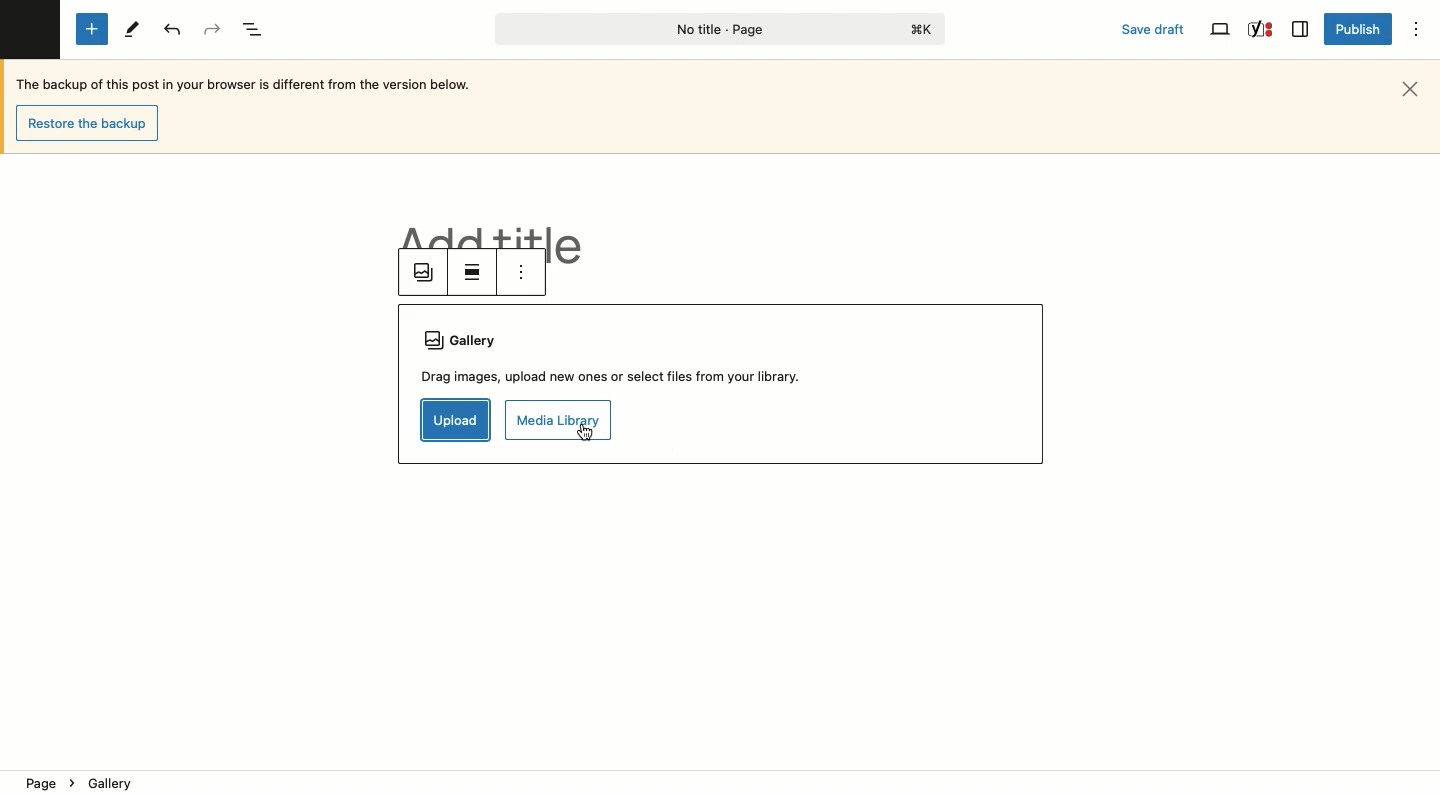 The width and height of the screenshot is (1440, 794). Describe the element at coordinates (1299, 30) in the screenshot. I see `Sidebar` at that location.